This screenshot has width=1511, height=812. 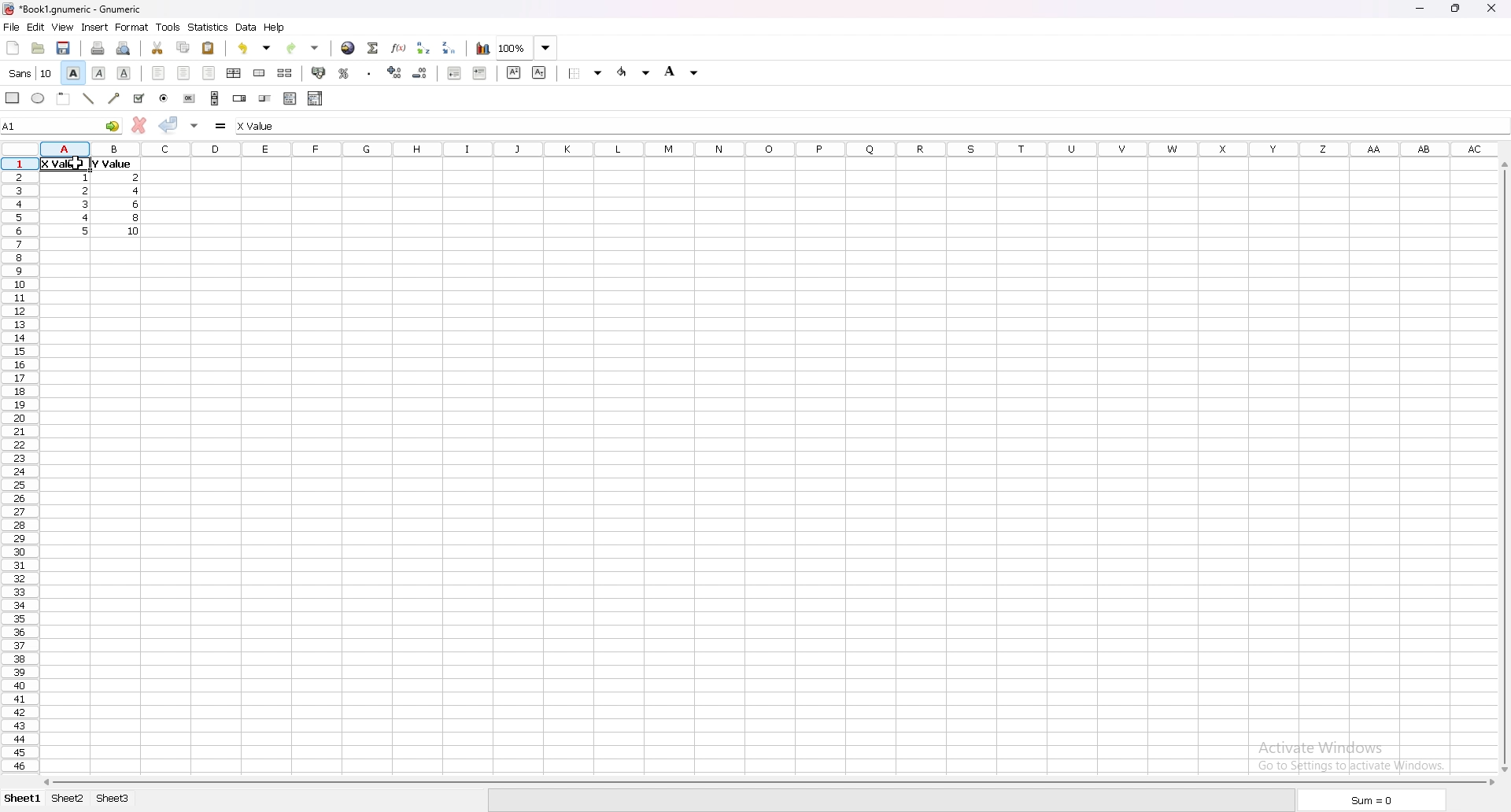 I want to click on combo box, so click(x=315, y=98).